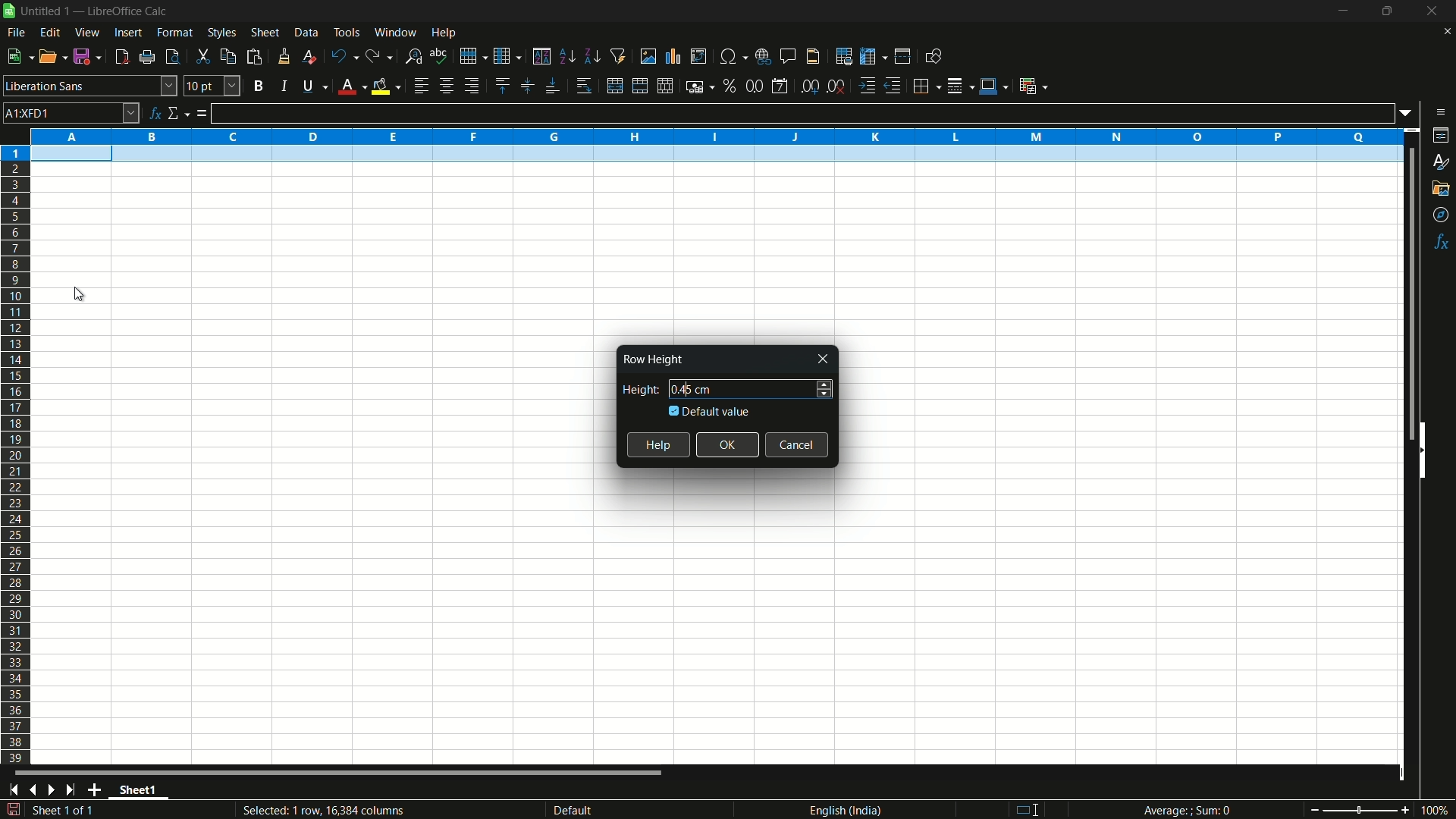 The width and height of the screenshot is (1456, 819). What do you see at coordinates (802, 113) in the screenshot?
I see `formula input line` at bounding box center [802, 113].